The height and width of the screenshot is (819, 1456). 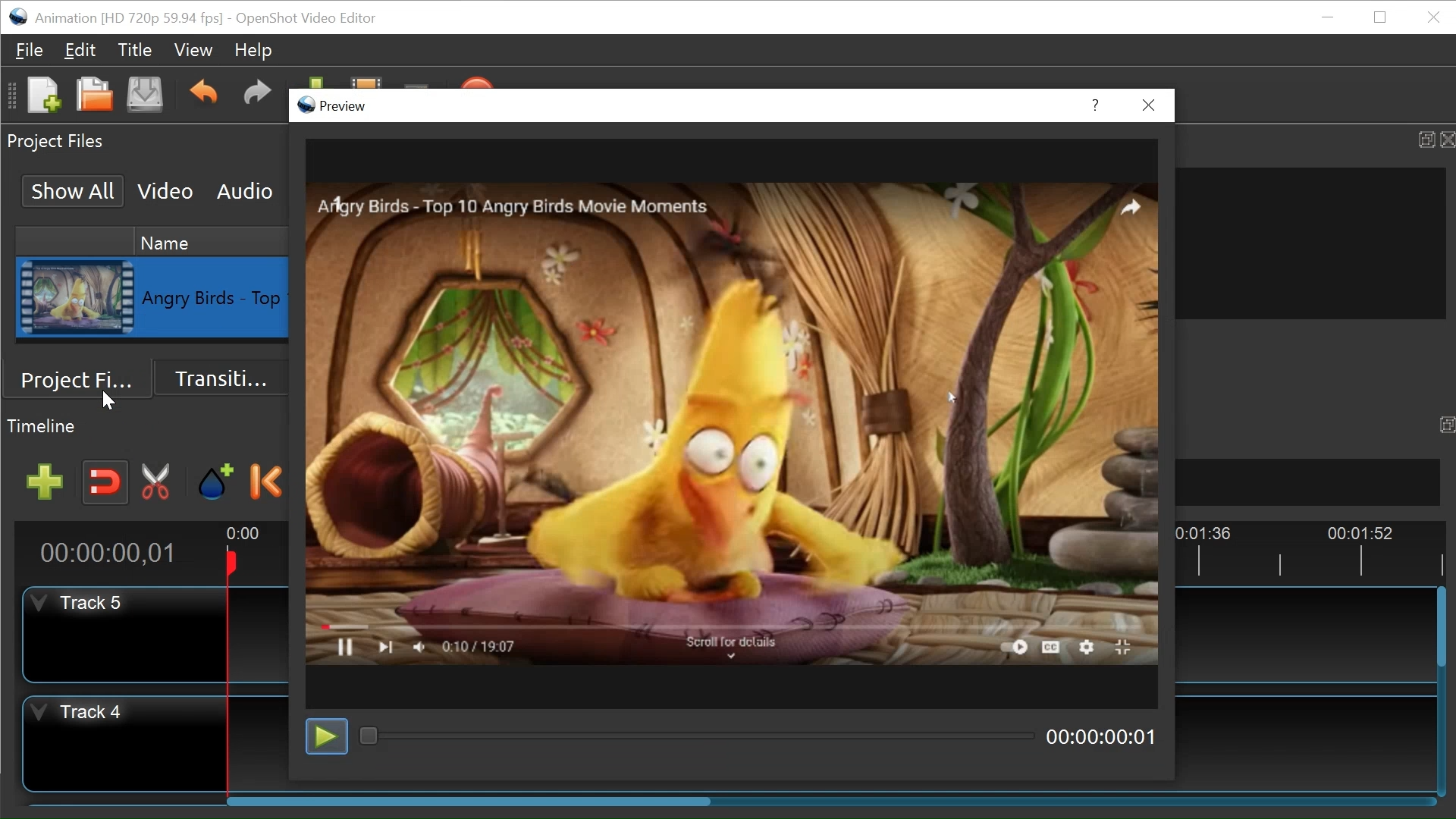 I want to click on Add Marker, so click(x=217, y=482).